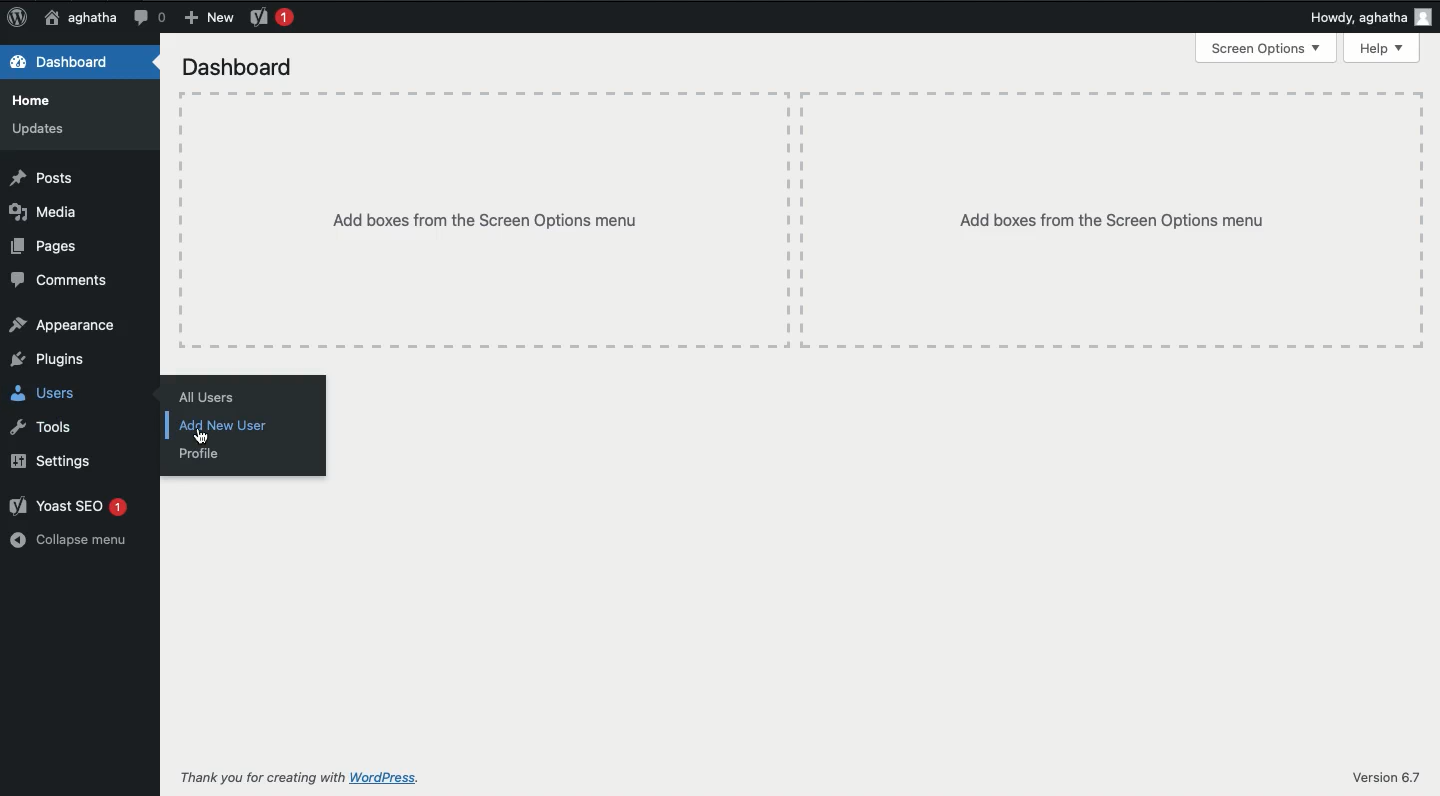 Image resolution: width=1440 pixels, height=796 pixels. Describe the element at coordinates (50, 179) in the screenshot. I see `Posts` at that location.